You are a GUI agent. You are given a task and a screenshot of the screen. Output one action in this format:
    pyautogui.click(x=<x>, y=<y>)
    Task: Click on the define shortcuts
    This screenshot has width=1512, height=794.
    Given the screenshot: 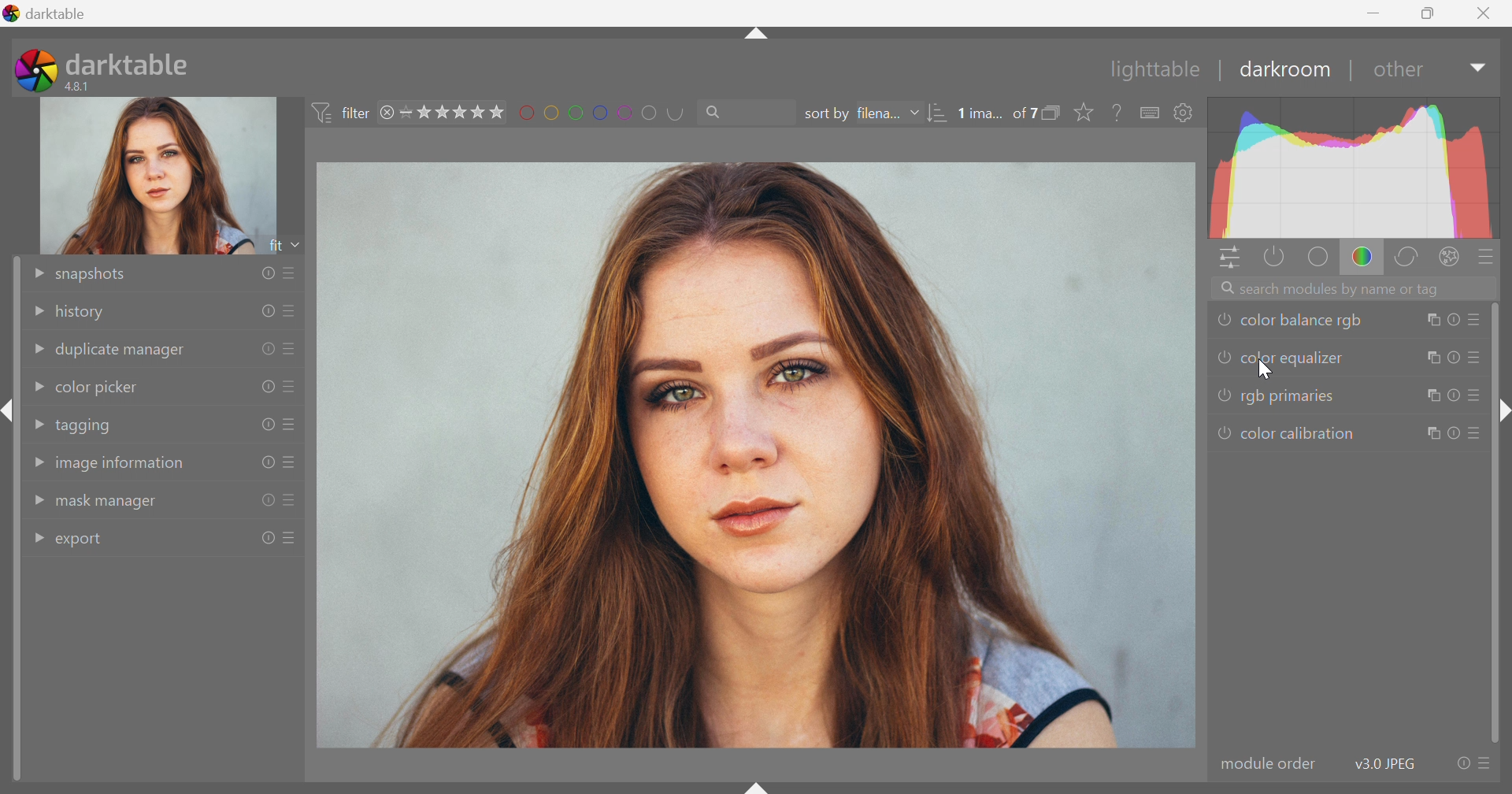 What is the action you would take?
    pyautogui.click(x=1151, y=113)
    